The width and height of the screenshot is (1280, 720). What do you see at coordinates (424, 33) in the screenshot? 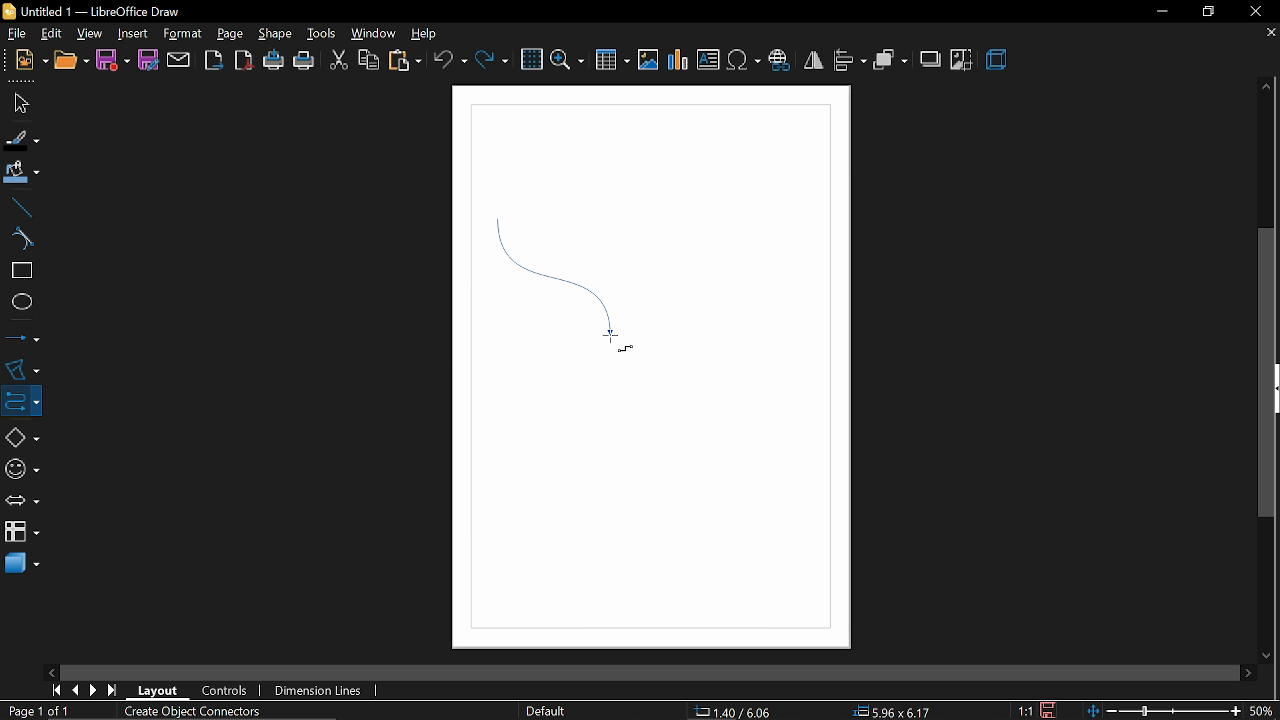
I see `help` at bounding box center [424, 33].